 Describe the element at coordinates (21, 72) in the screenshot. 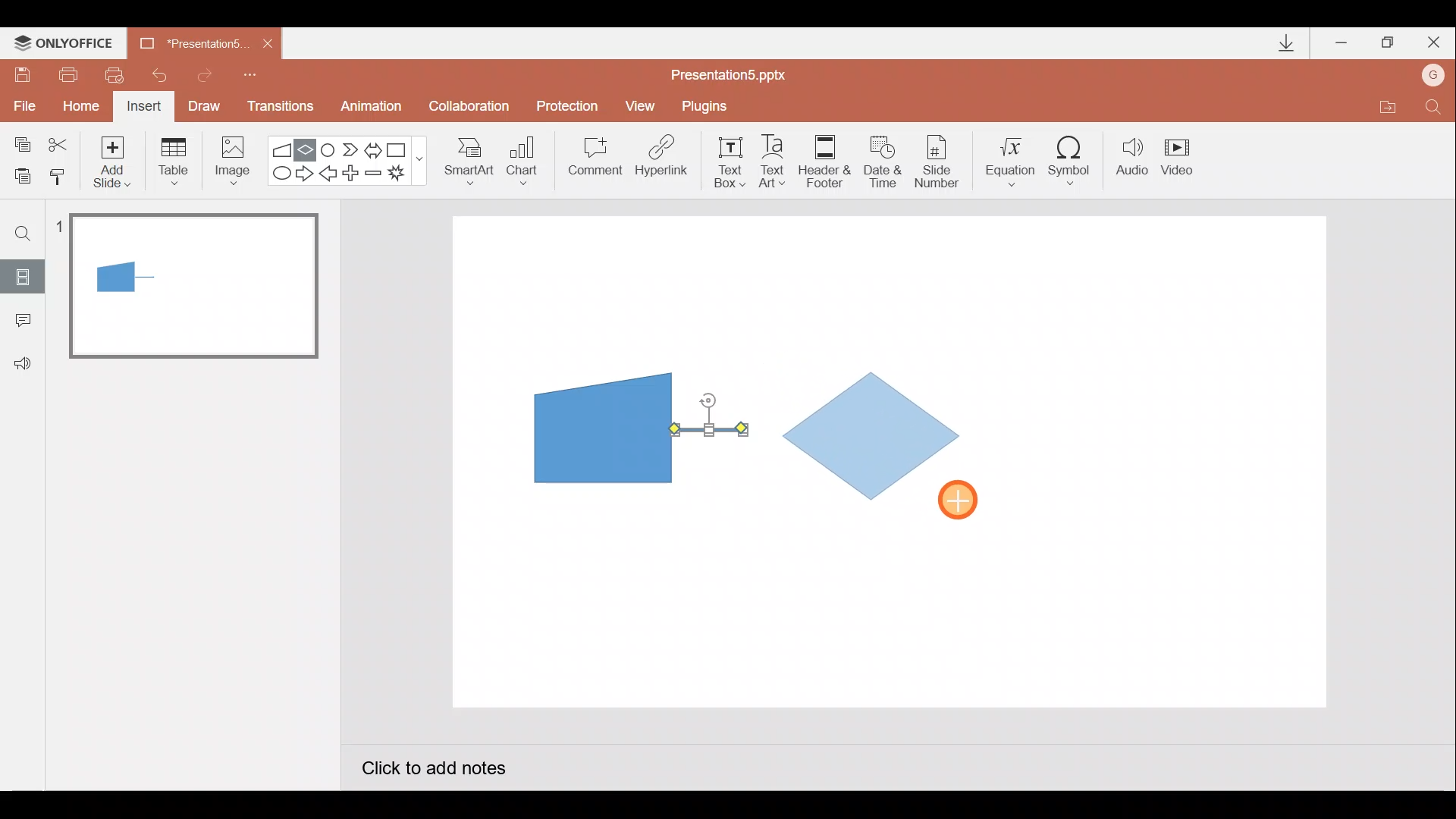

I see `Save` at that location.